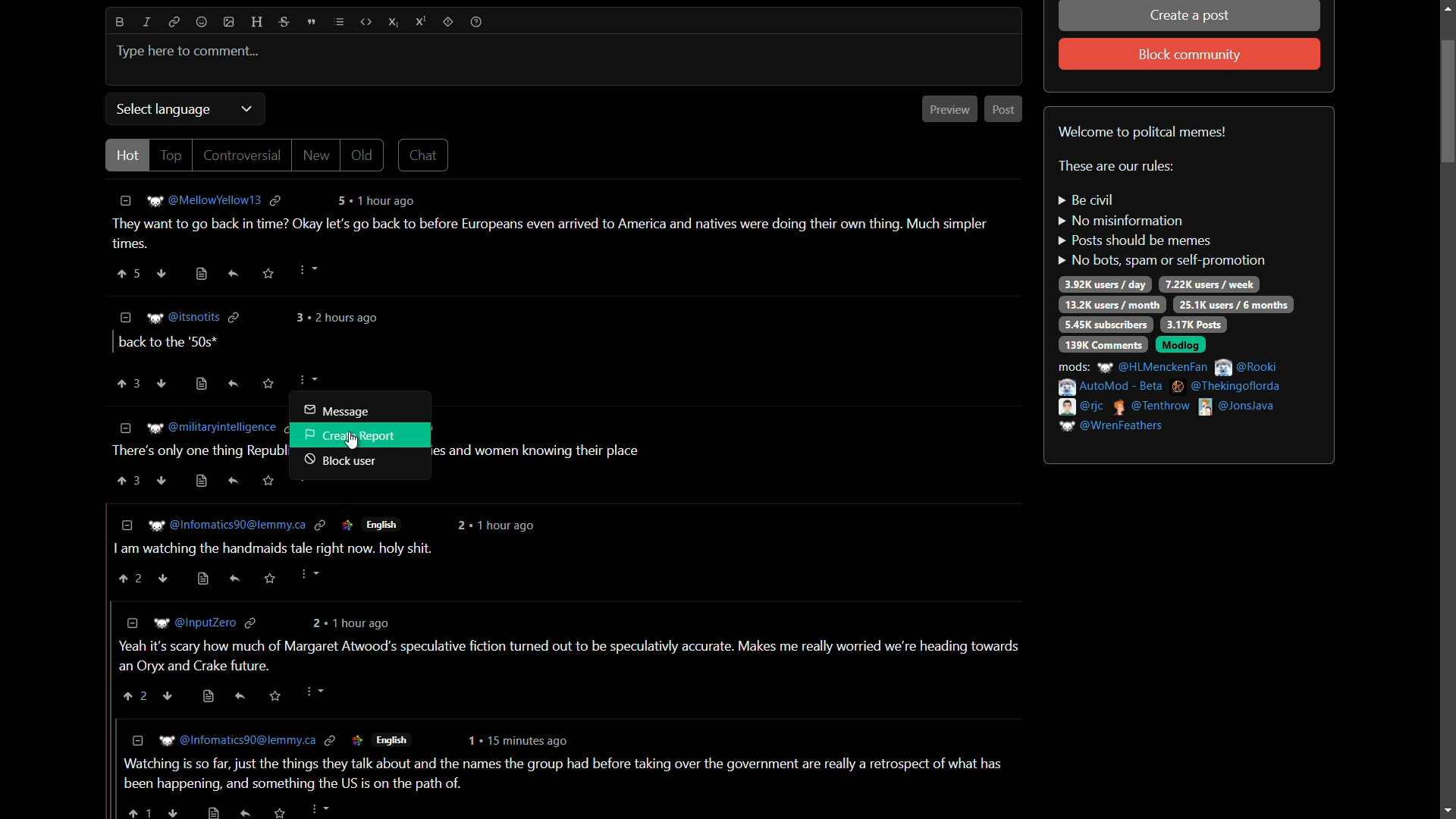 This screenshot has height=819, width=1456. I want to click on 3.17k posts, so click(1193, 325).